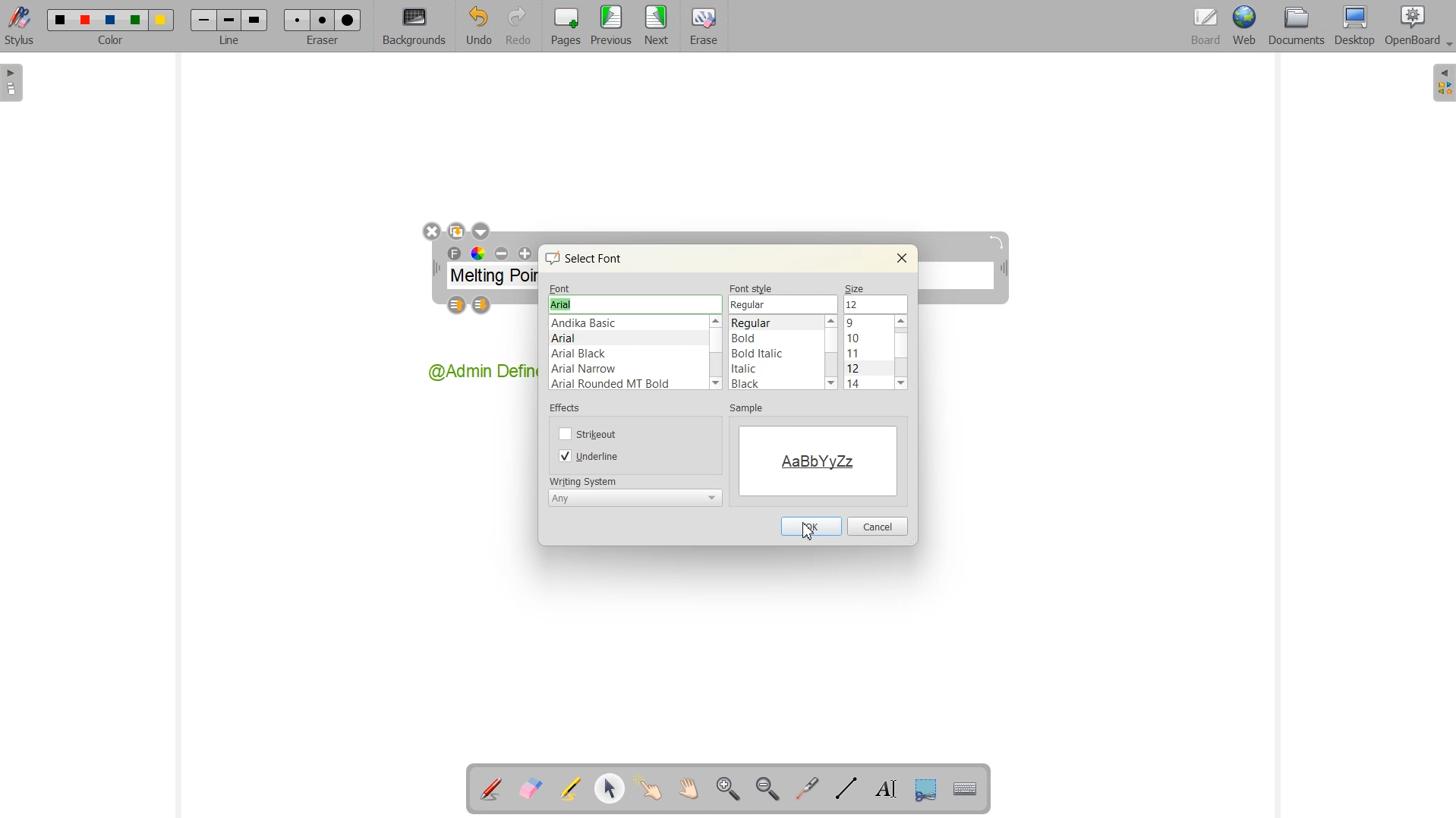 The width and height of the screenshot is (1456, 818). Describe the element at coordinates (113, 27) in the screenshot. I see `Color` at that location.